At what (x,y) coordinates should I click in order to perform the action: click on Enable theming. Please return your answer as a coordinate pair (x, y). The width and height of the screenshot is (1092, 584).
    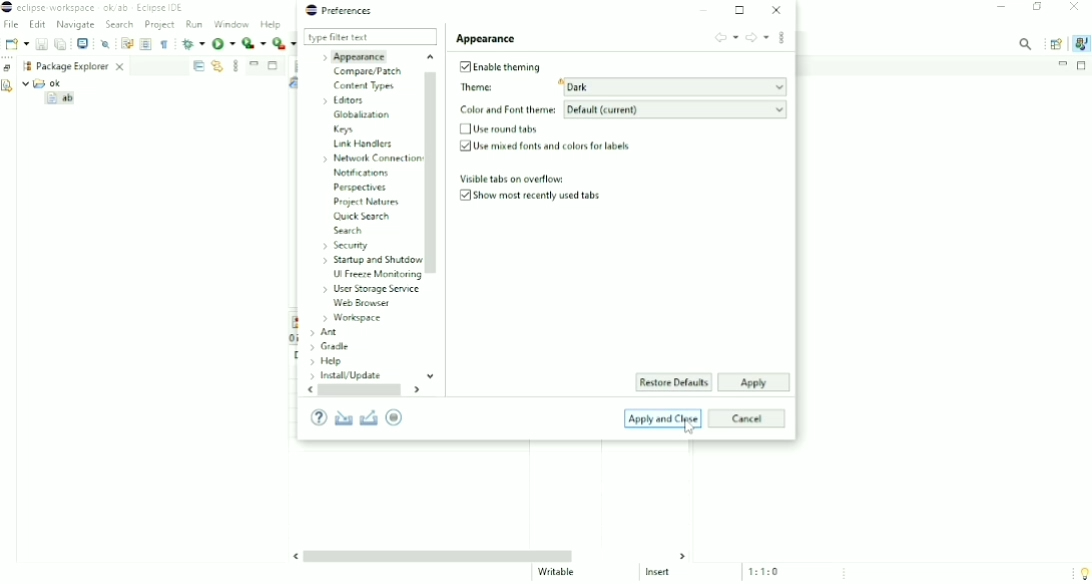
    Looking at the image, I should click on (498, 67).